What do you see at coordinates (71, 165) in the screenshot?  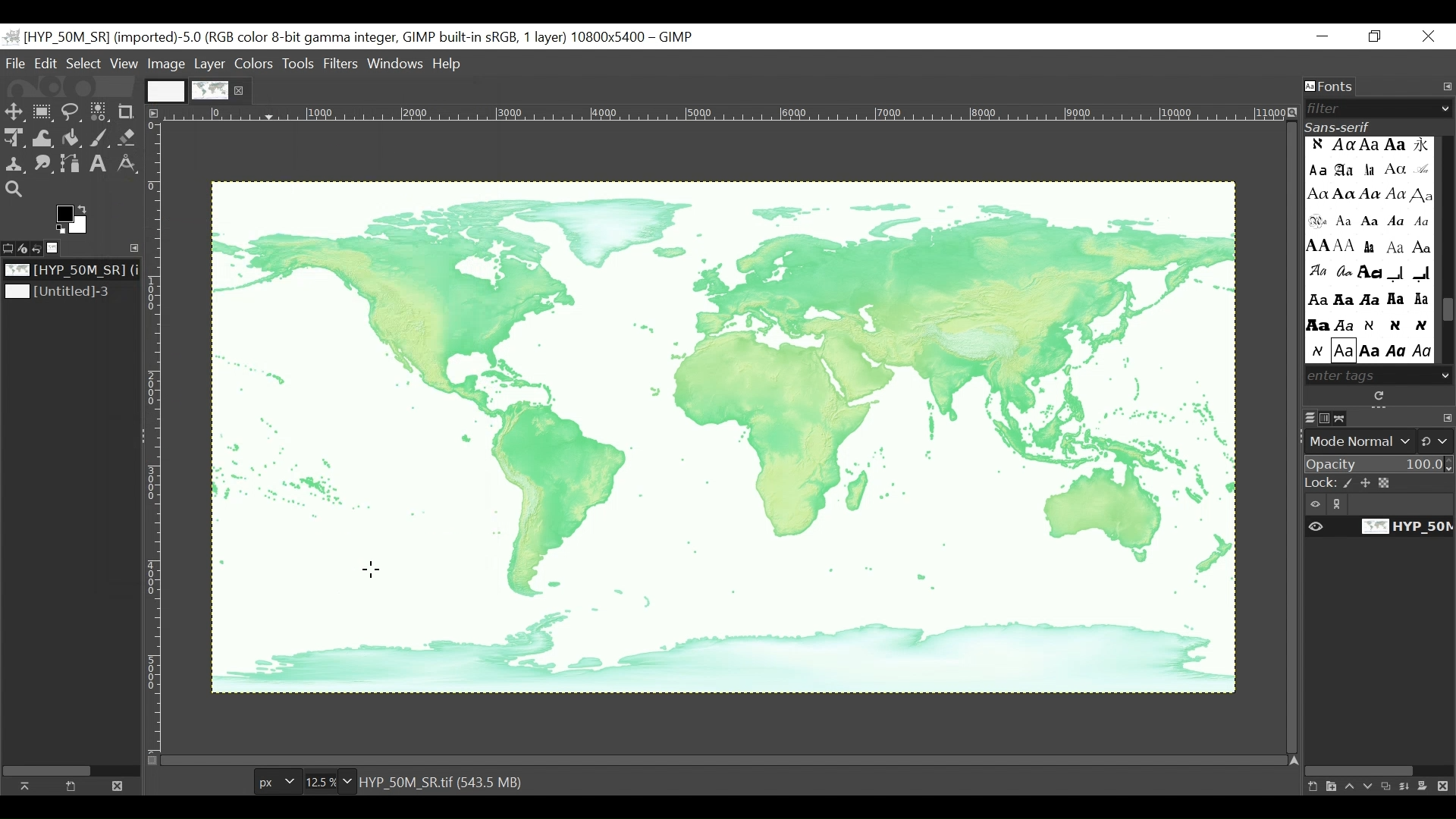 I see `Paths Tool` at bounding box center [71, 165].